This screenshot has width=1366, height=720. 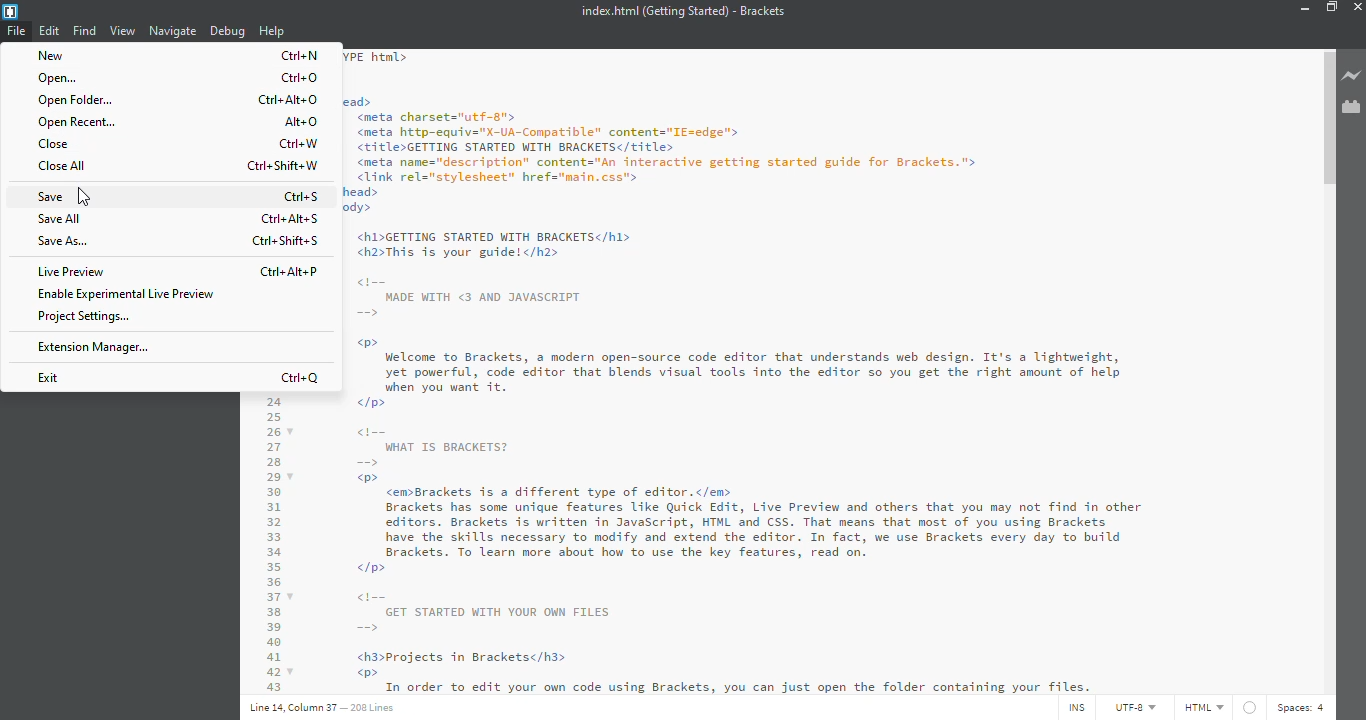 What do you see at coordinates (56, 378) in the screenshot?
I see `exit` at bounding box center [56, 378].